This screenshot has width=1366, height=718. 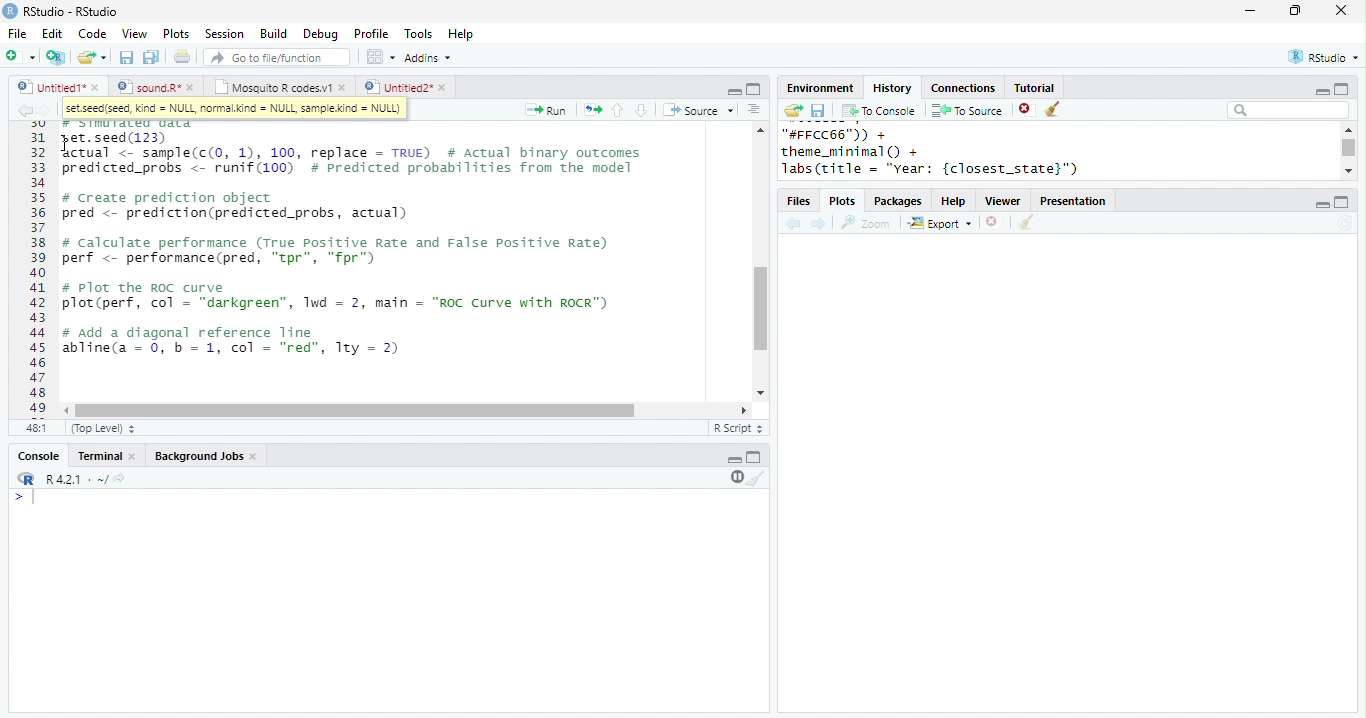 I want to click on Tutorial, so click(x=1033, y=87).